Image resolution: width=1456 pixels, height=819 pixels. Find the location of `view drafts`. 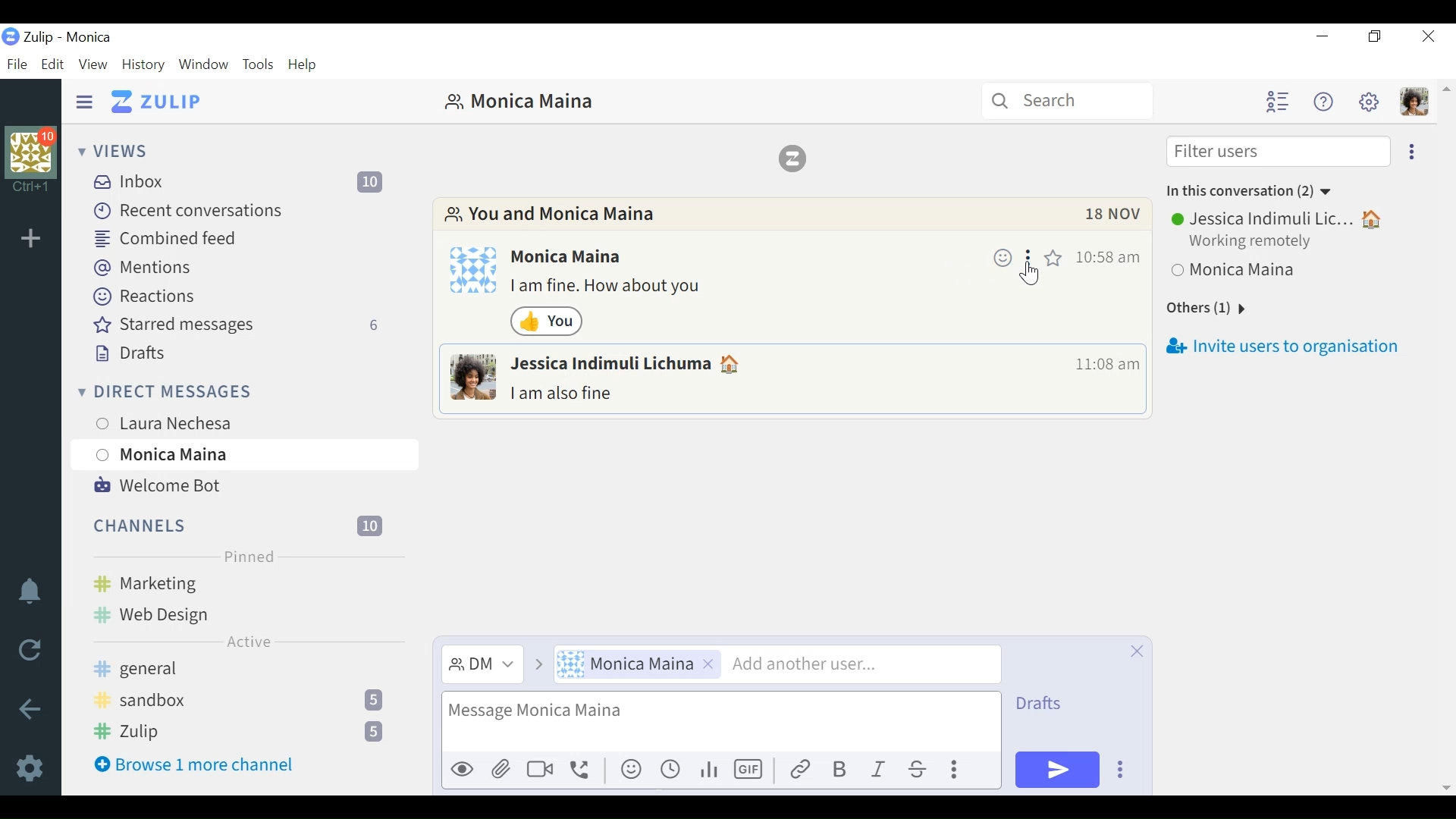

view drafts is located at coordinates (1053, 705).